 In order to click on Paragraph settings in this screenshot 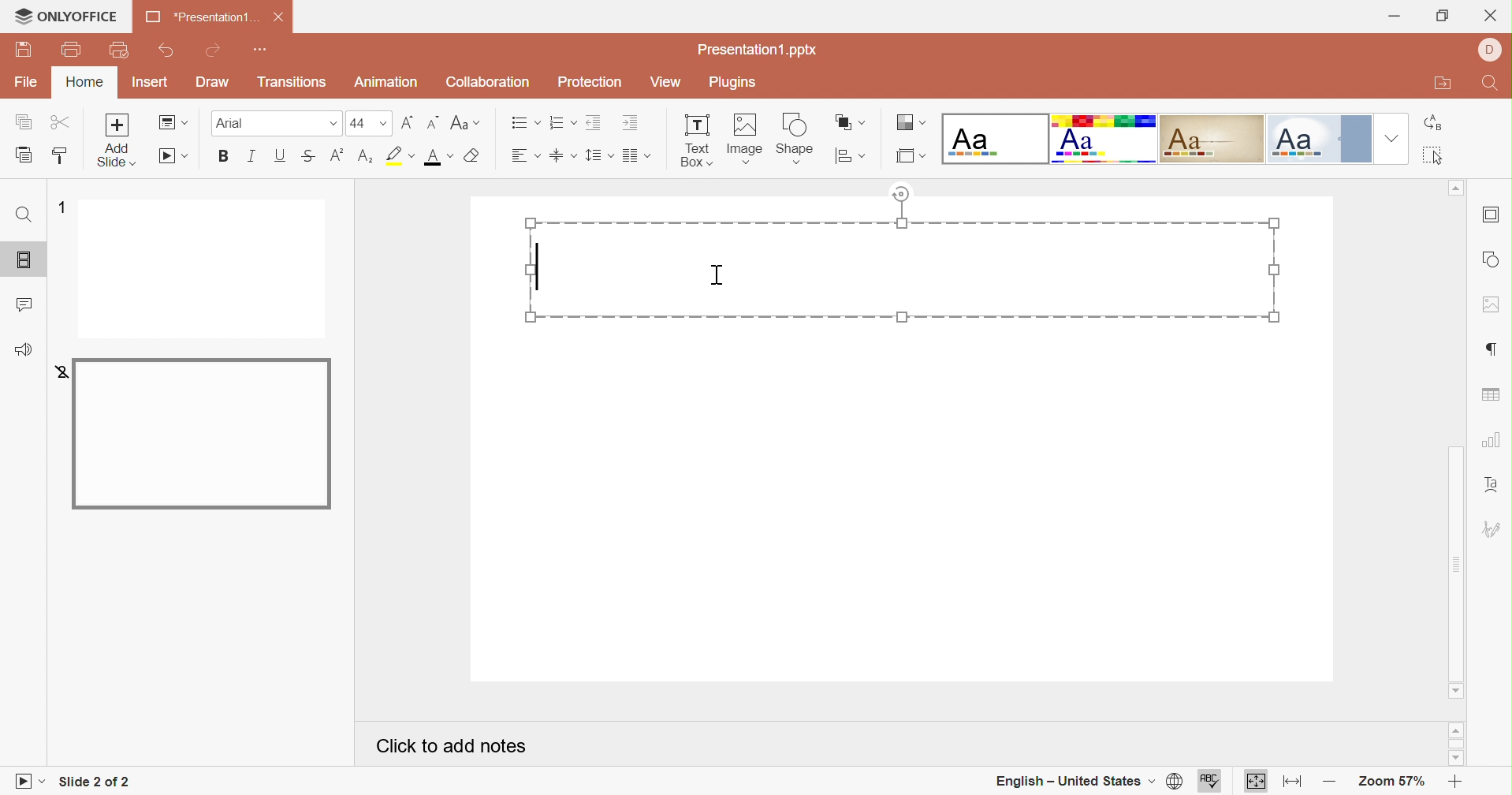, I will do `click(1494, 349)`.